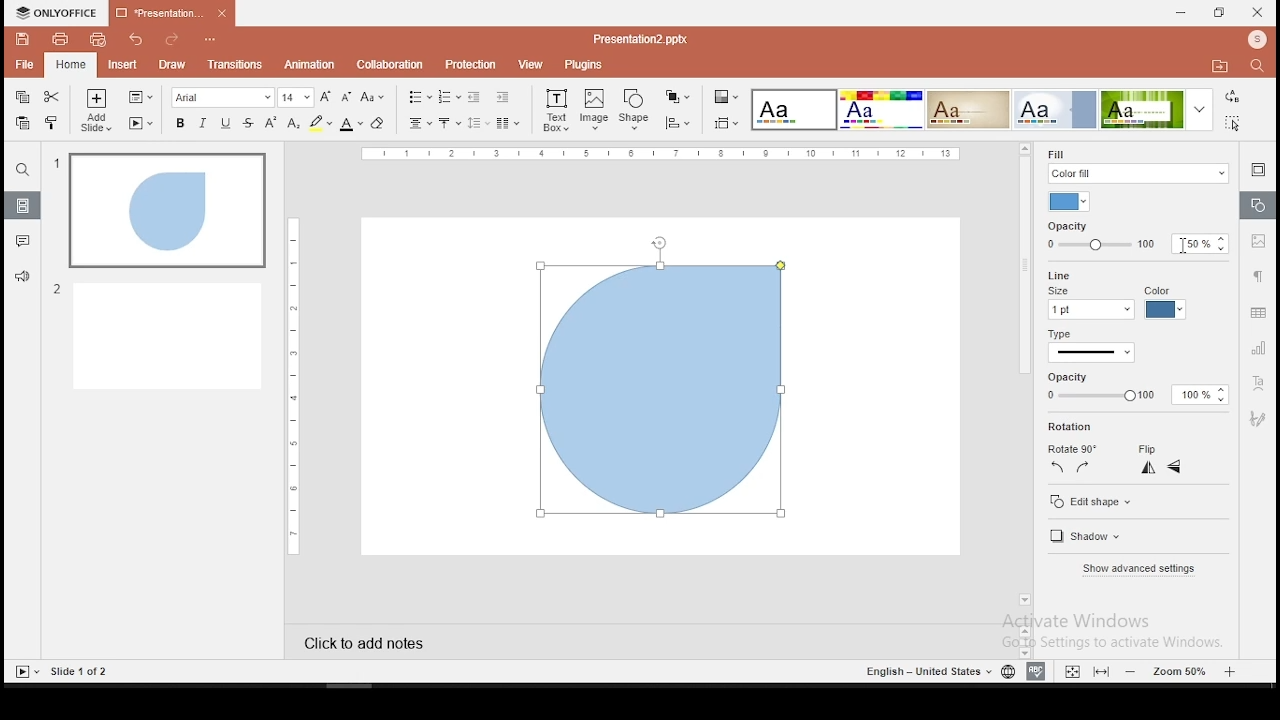 This screenshot has width=1280, height=720. What do you see at coordinates (1069, 671) in the screenshot?
I see `fit to width` at bounding box center [1069, 671].